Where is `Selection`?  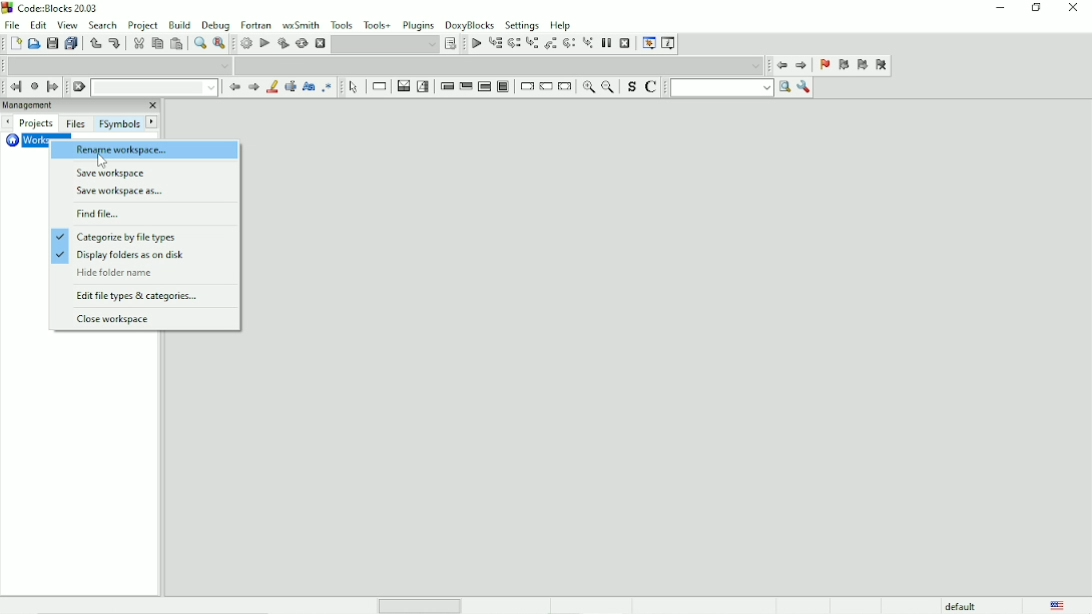 Selection is located at coordinates (424, 86).